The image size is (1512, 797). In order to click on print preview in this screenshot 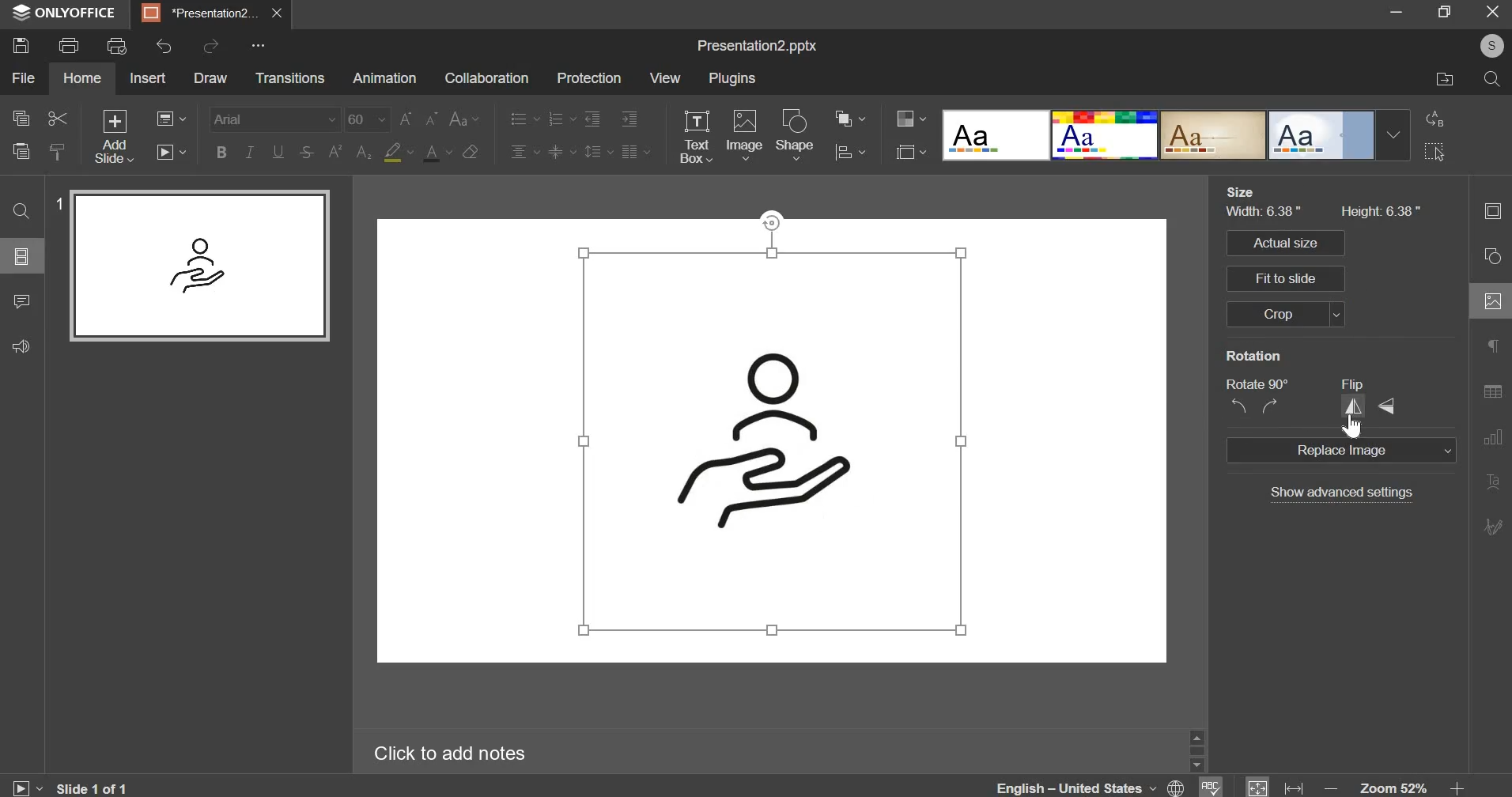, I will do `click(117, 47)`.